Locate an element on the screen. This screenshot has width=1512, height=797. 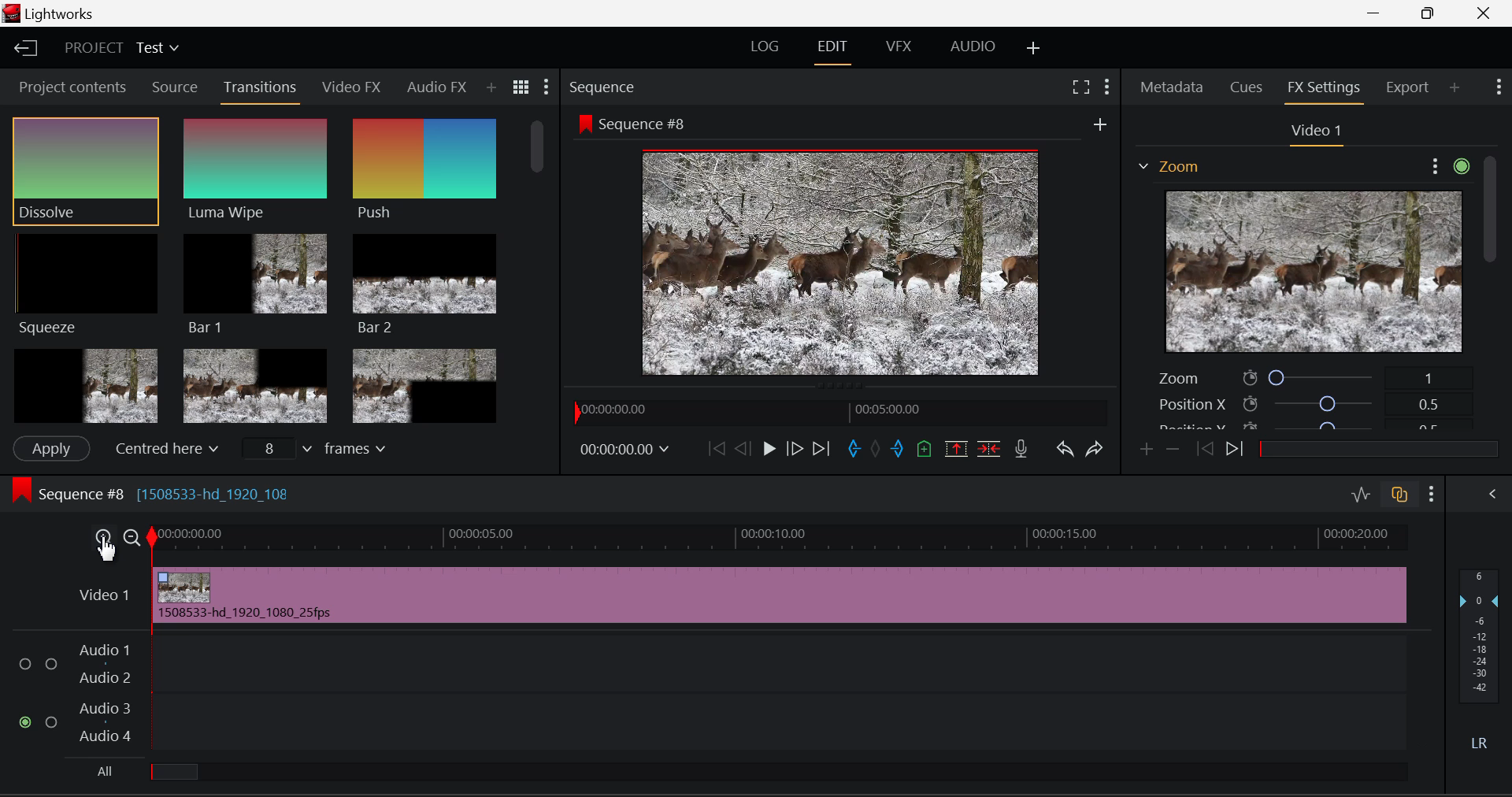
Toggle auto track is located at coordinates (1398, 491).